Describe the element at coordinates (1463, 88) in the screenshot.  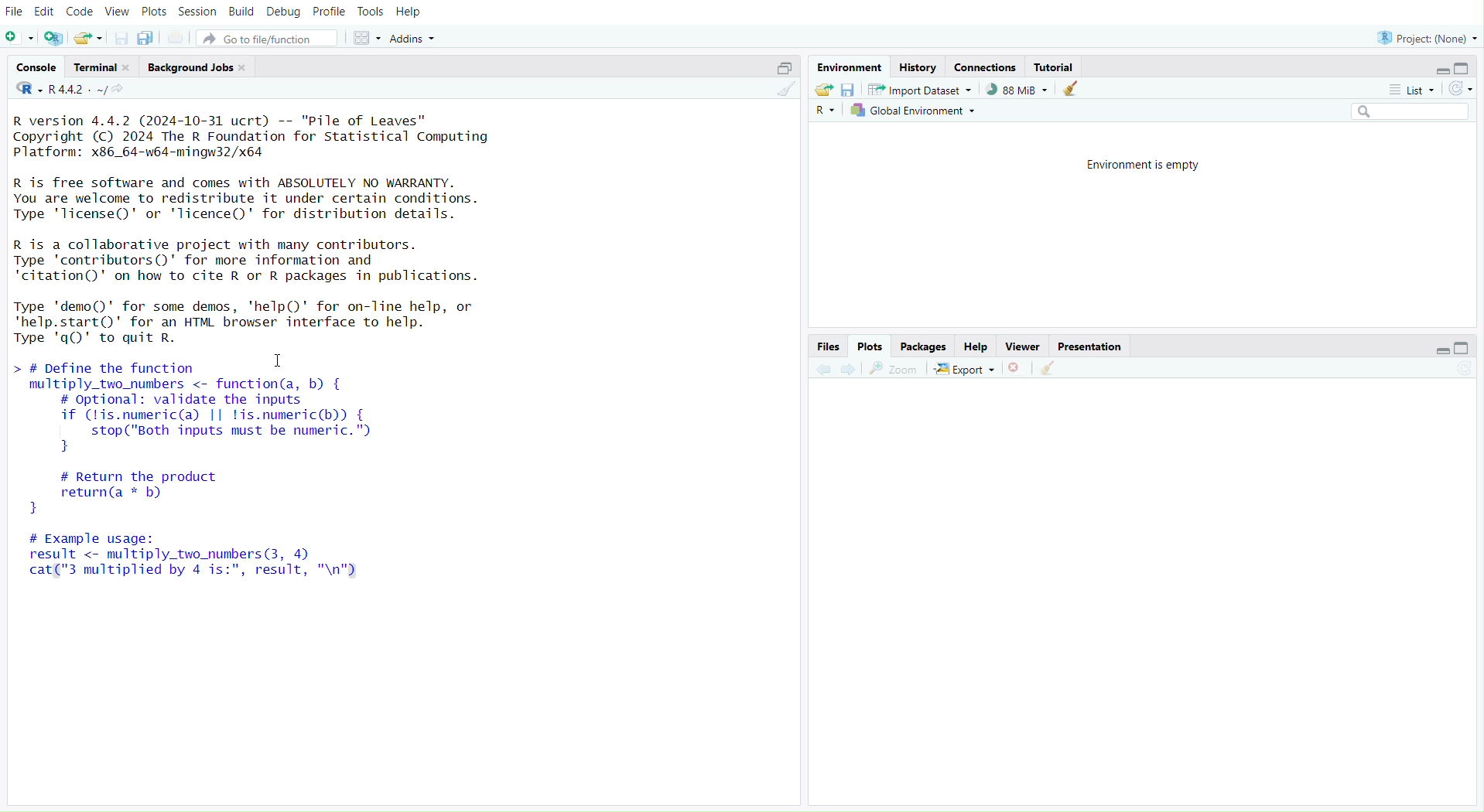
I see `Refresh the list of objects in the environment` at that location.